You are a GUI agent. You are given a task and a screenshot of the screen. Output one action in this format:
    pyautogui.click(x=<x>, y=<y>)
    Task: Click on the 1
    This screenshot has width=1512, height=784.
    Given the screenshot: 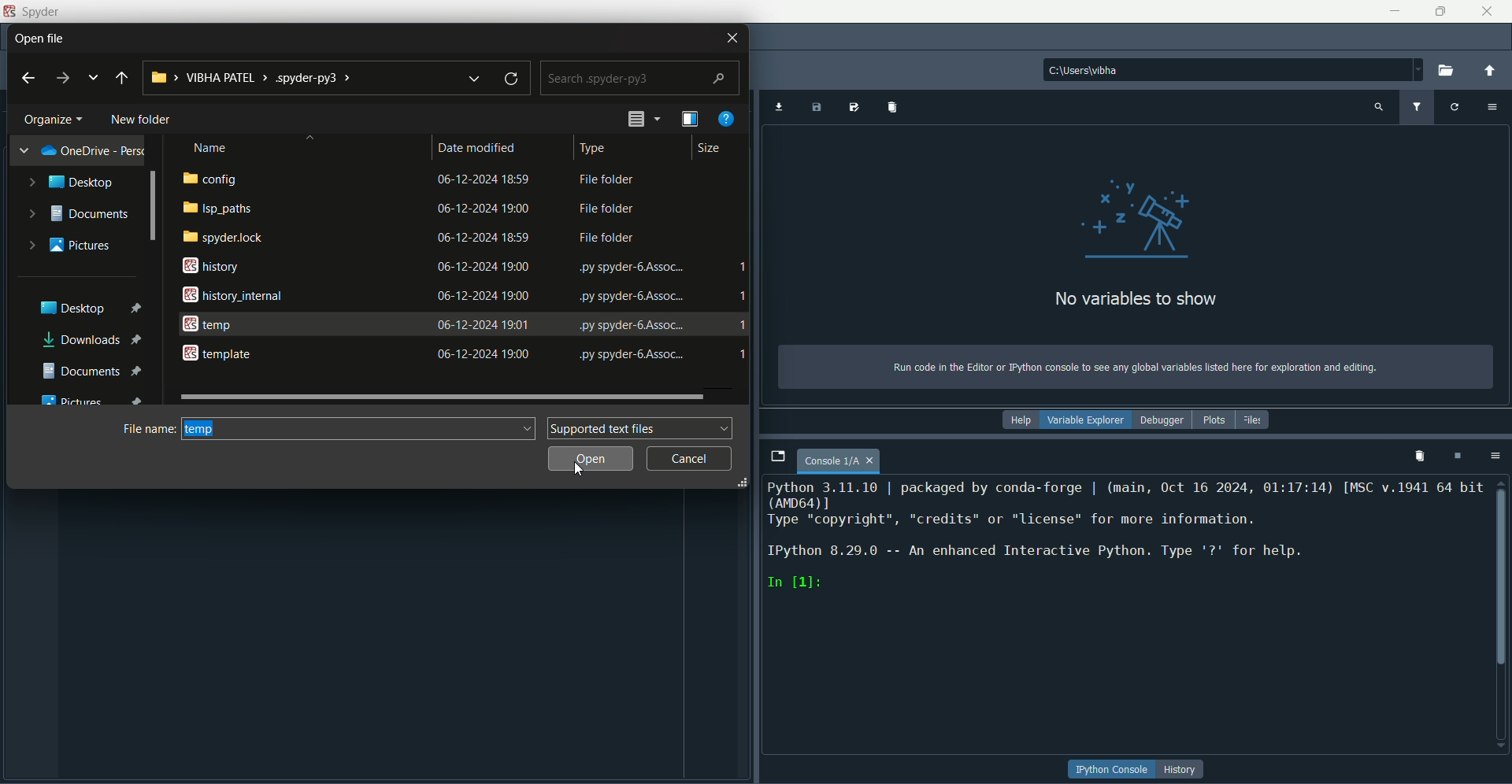 What is the action you would take?
    pyautogui.click(x=747, y=293)
    